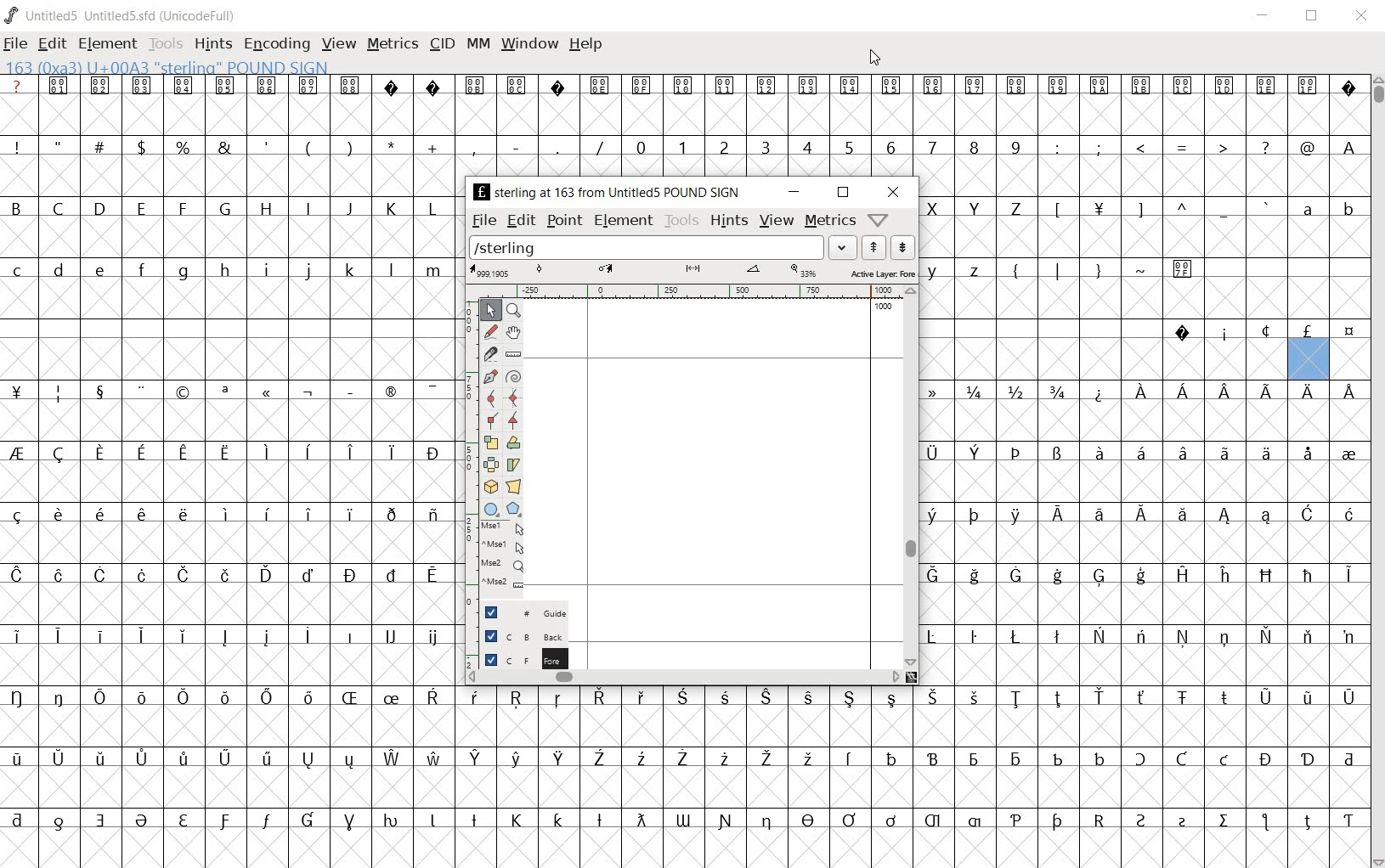  What do you see at coordinates (349, 698) in the screenshot?
I see `Symbol` at bounding box center [349, 698].